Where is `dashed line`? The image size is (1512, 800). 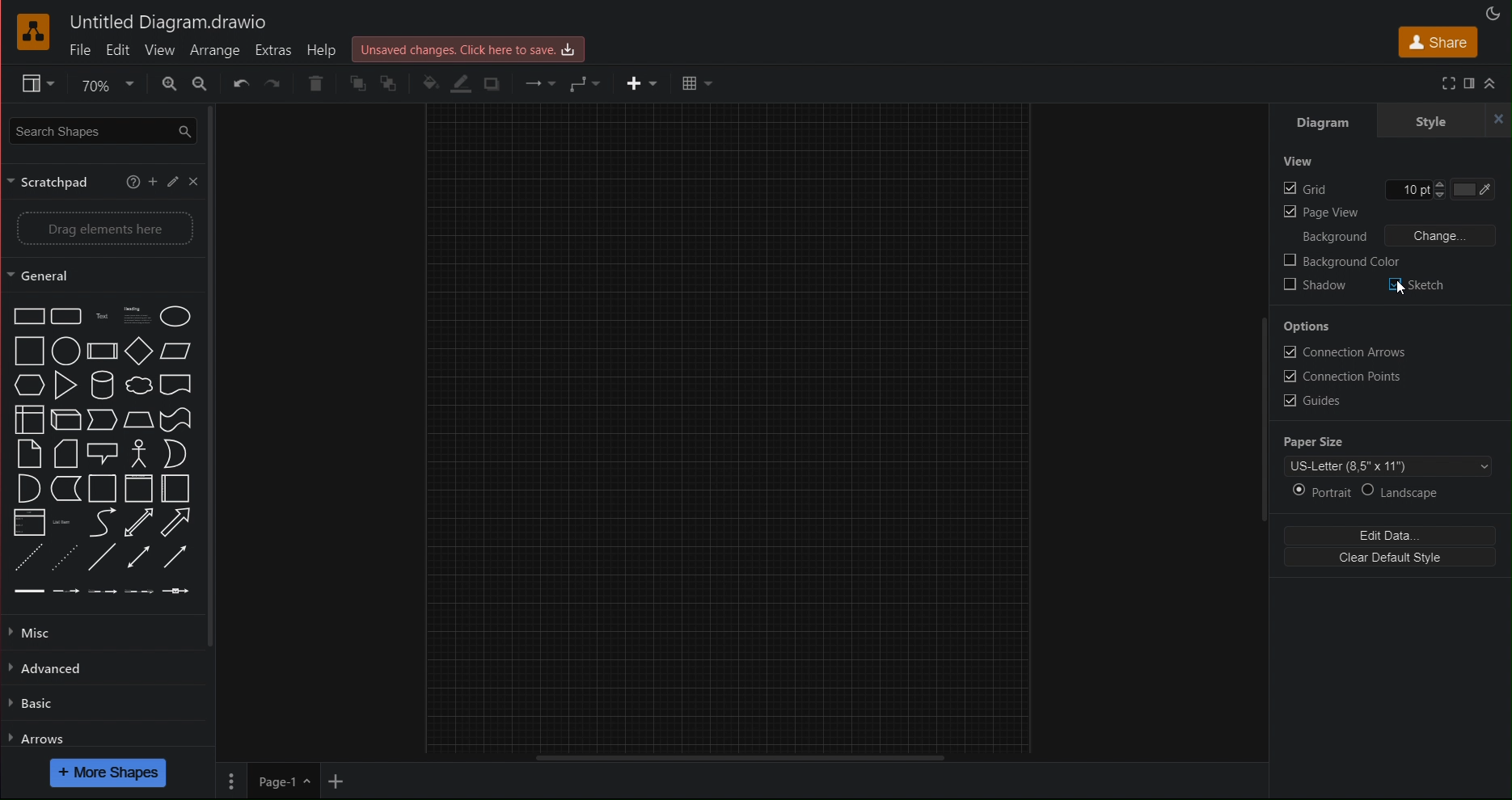 dashed line is located at coordinates (27, 559).